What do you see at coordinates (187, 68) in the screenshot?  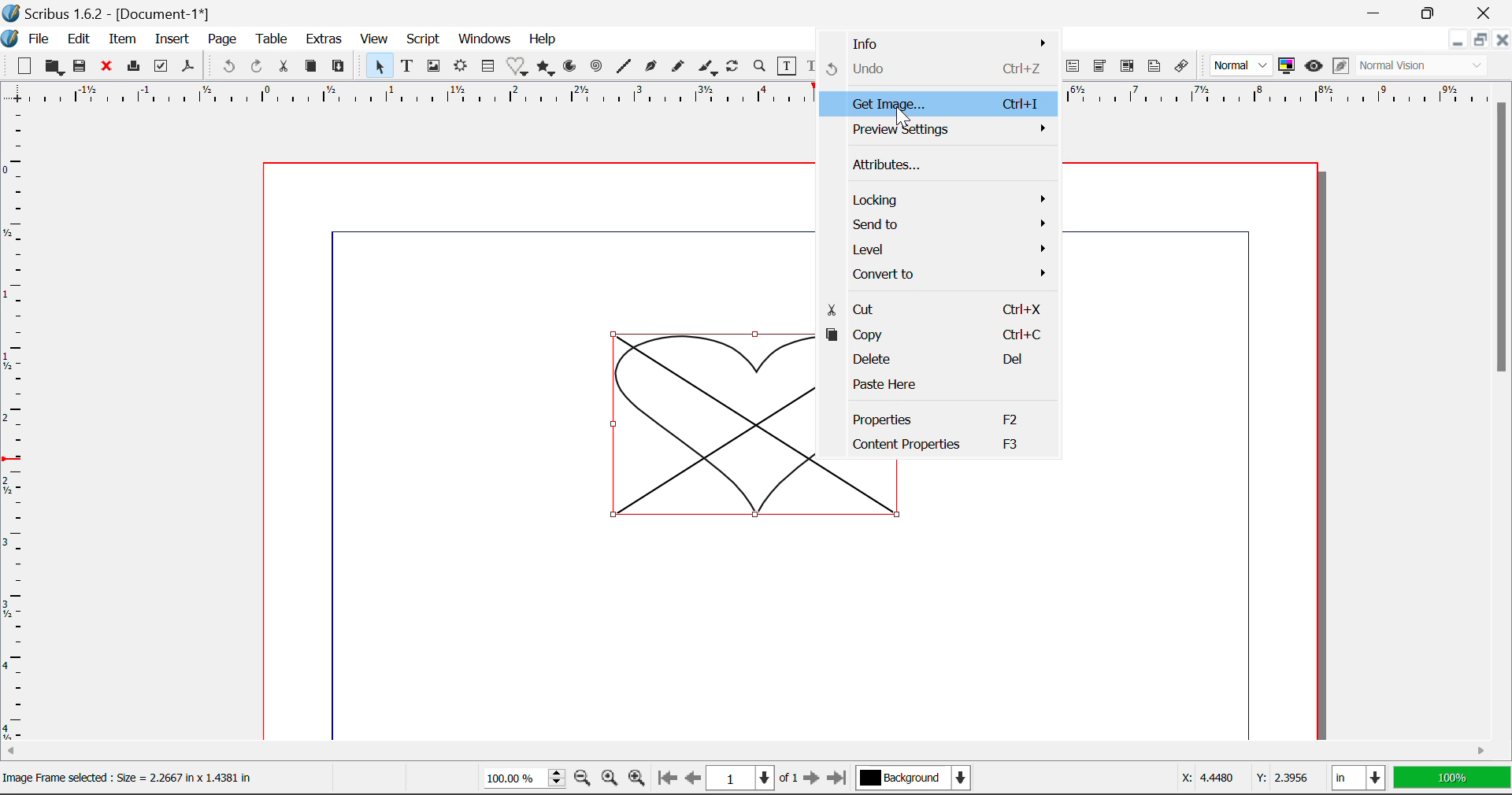 I see `Save as Pdf` at bounding box center [187, 68].